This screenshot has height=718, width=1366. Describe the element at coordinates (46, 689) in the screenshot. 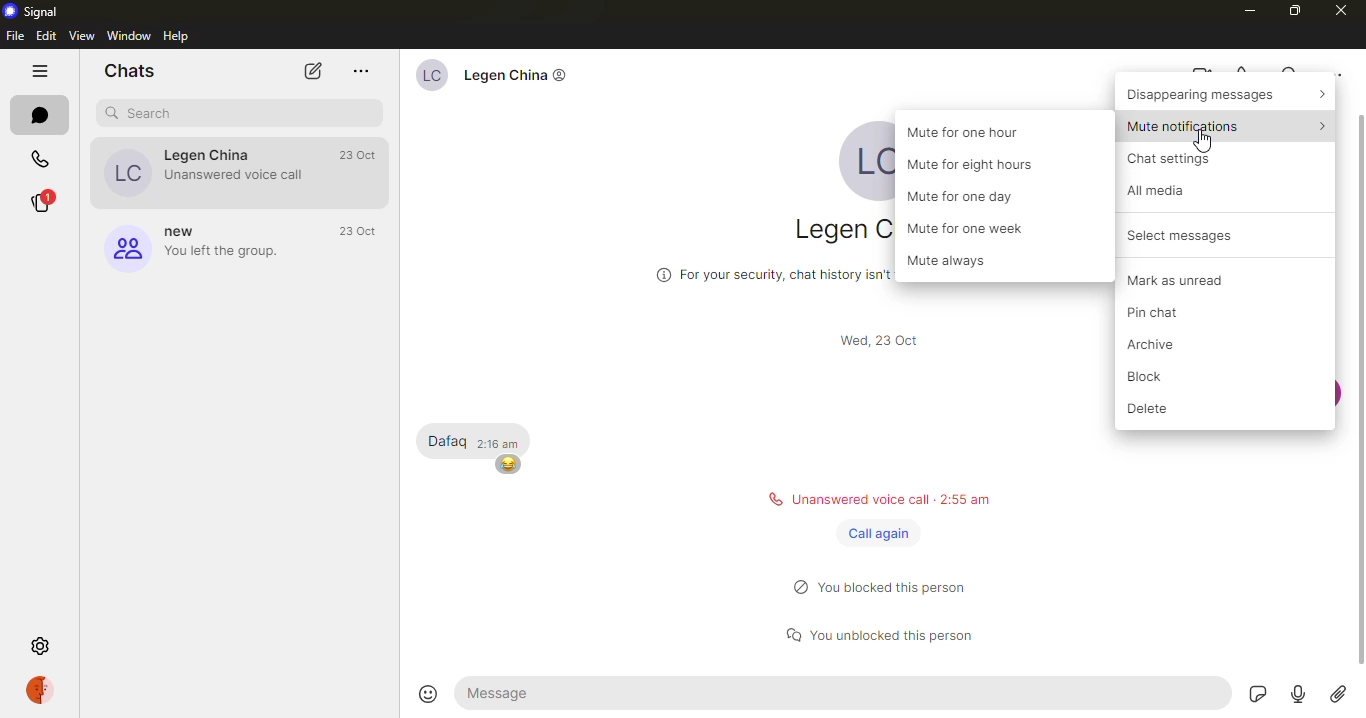

I see `profile` at that location.